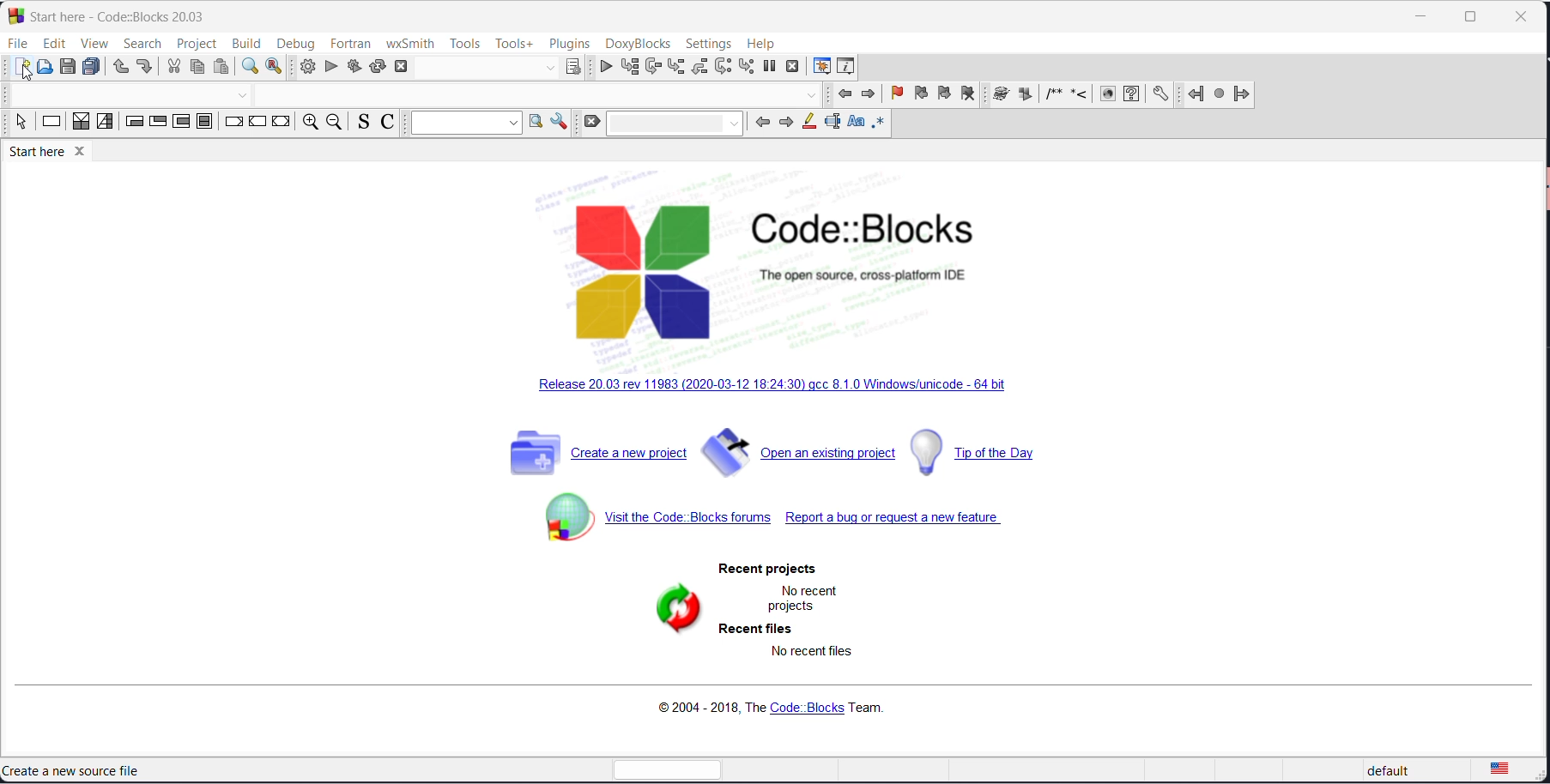 The height and width of the screenshot is (784, 1550). Describe the element at coordinates (1055, 95) in the screenshot. I see `Insert comment block` at that location.